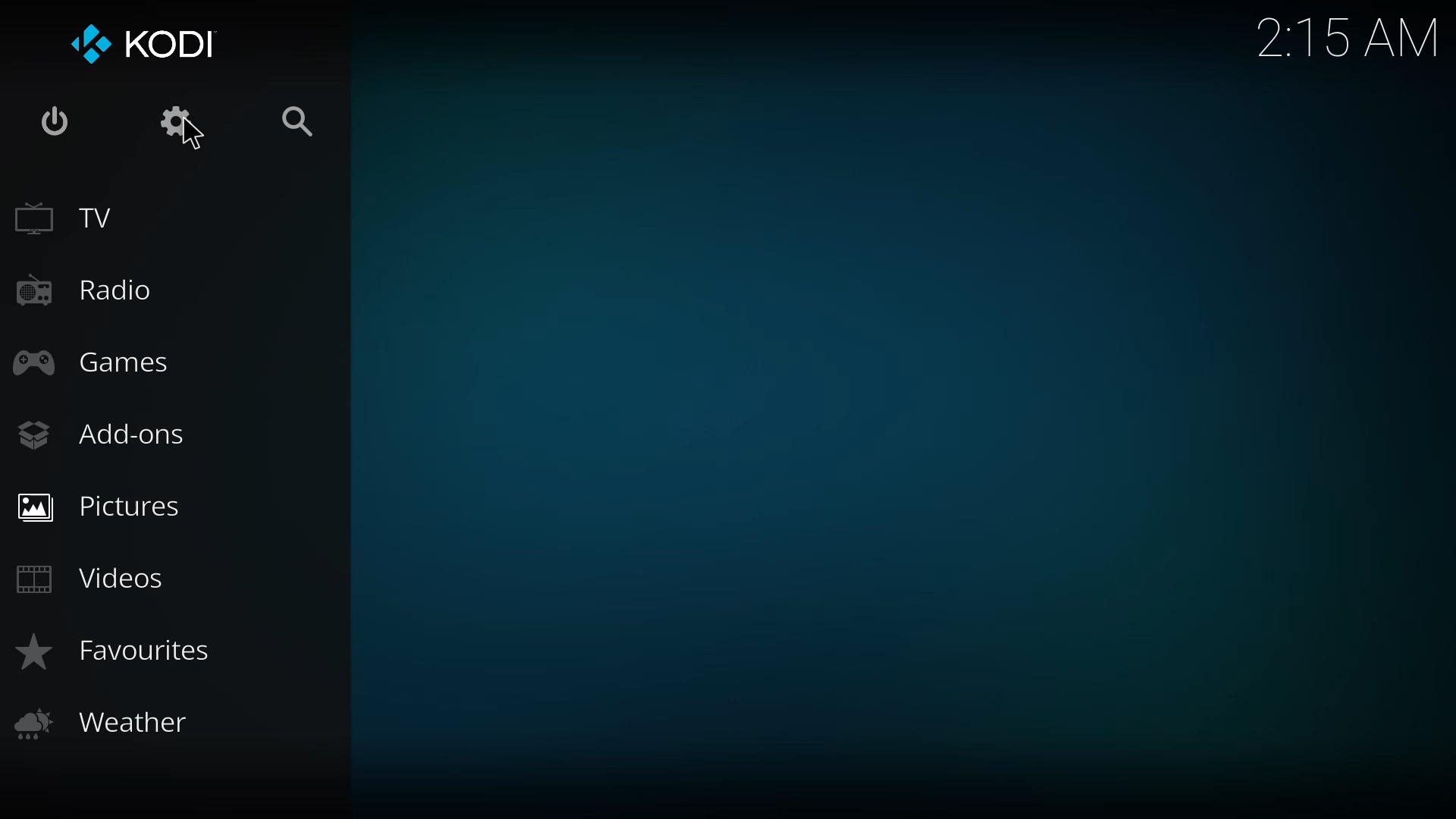  I want to click on weather, so click(109, 726).